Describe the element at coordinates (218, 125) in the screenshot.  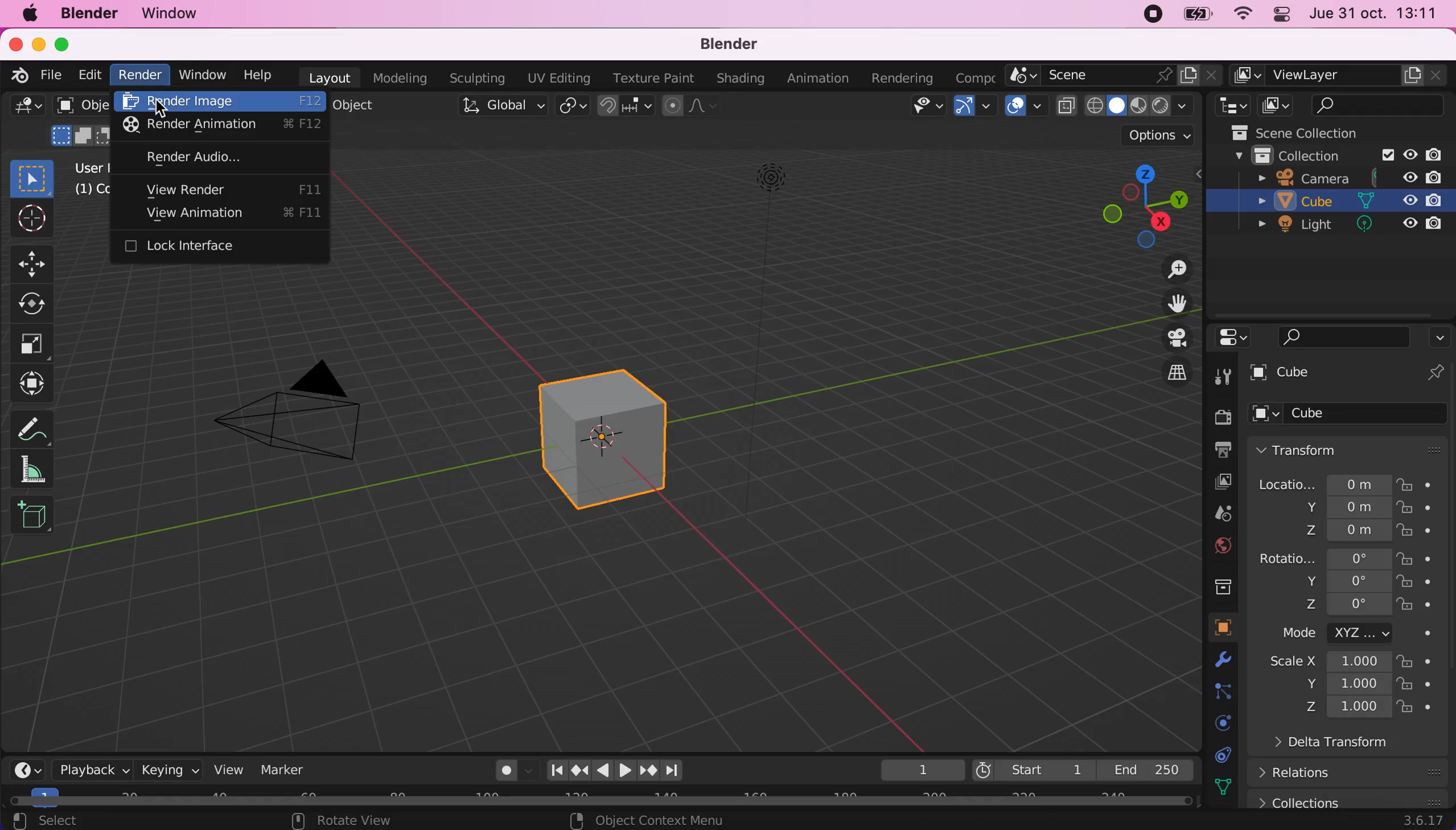
I see `render animation` at that location.